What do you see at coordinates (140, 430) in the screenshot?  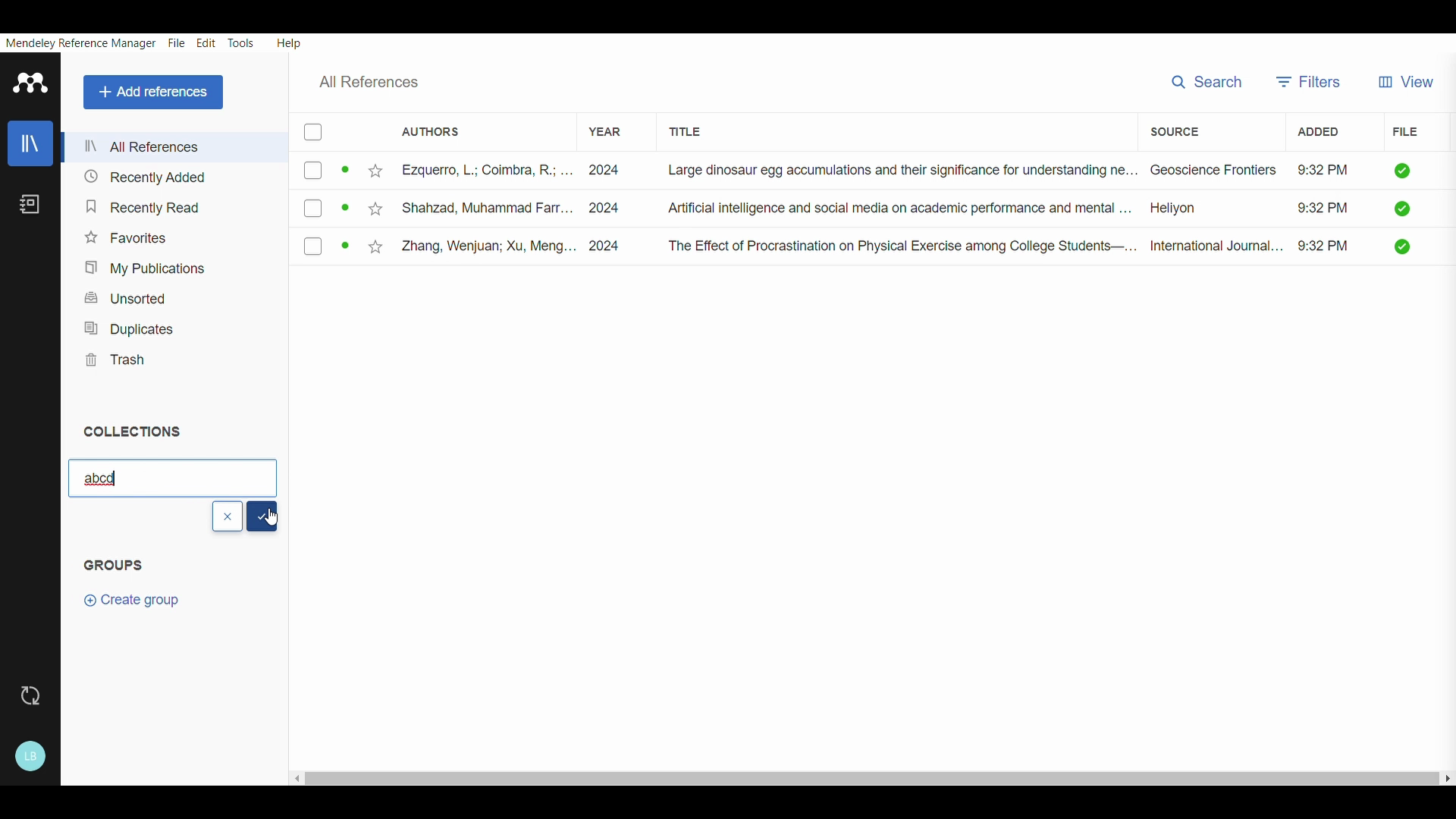 I see `Collections` at bounding box center [140, 430].